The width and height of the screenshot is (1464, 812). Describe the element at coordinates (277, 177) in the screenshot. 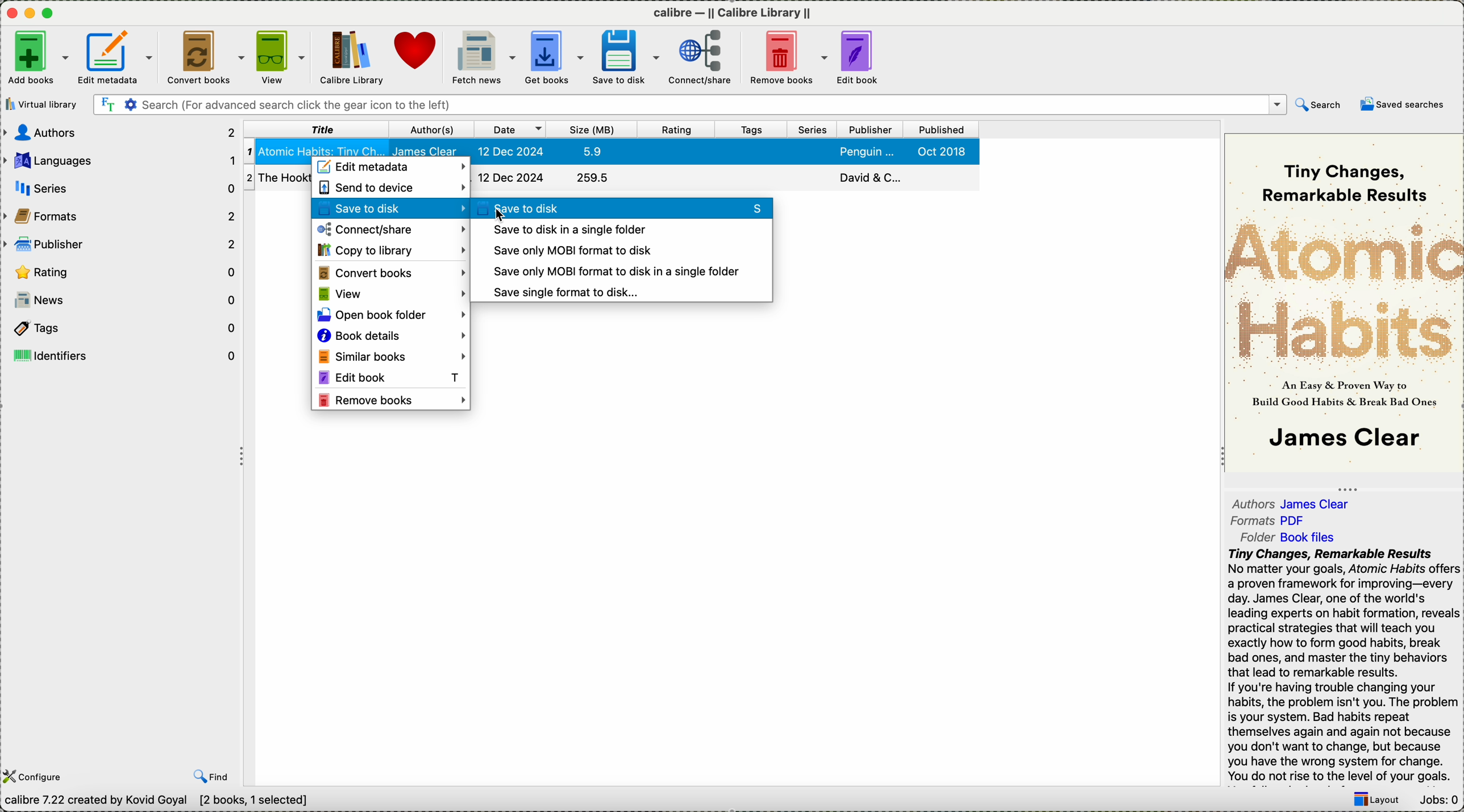

I see `The Hooktionary book details` at that location.